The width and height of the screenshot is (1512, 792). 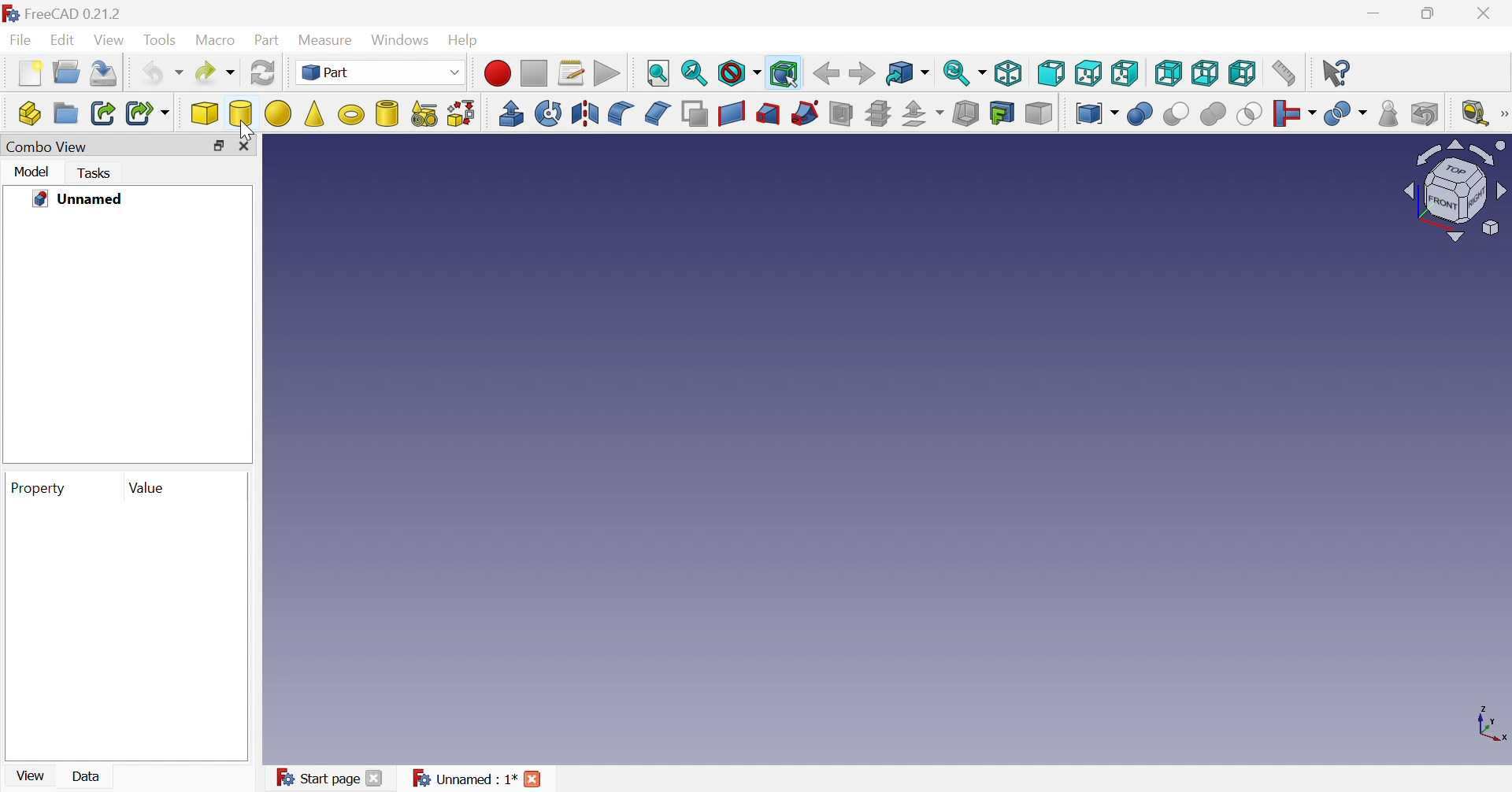 I want to click on Union, so click(x=1214, y=115).